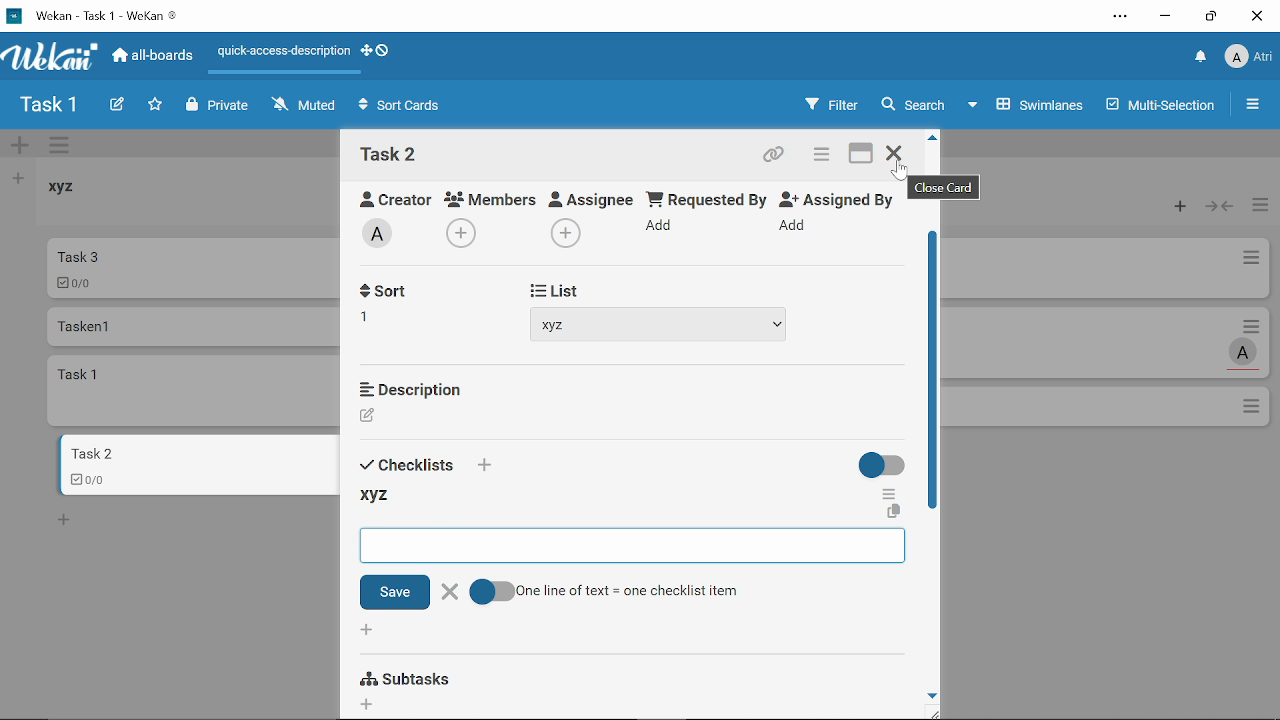  Describe the element at coordinates (1256, 325) in the screenshot. I see `Card actions` at that location.